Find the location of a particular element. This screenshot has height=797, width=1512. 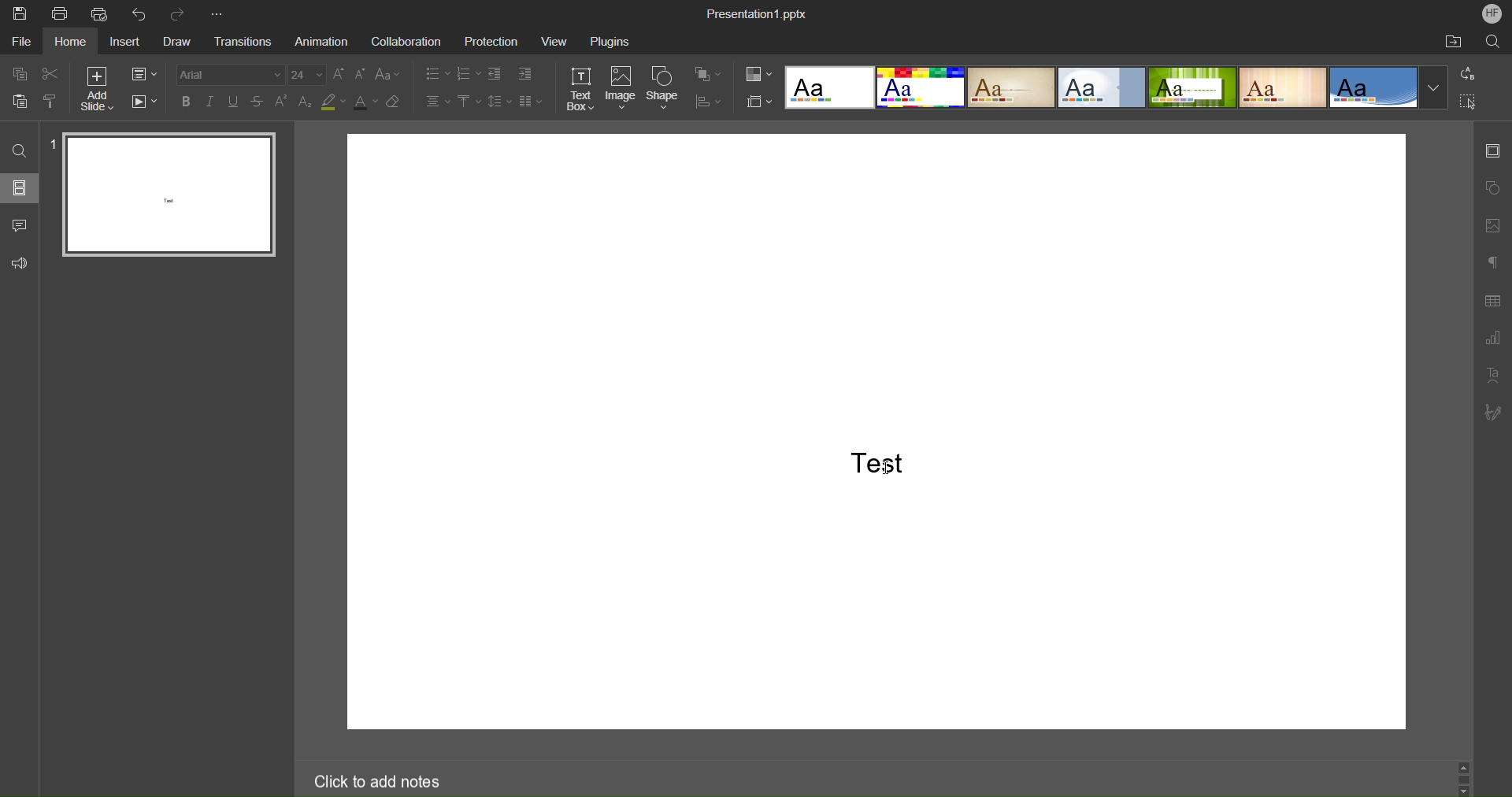

Shape is located at coordinates (665, 87).